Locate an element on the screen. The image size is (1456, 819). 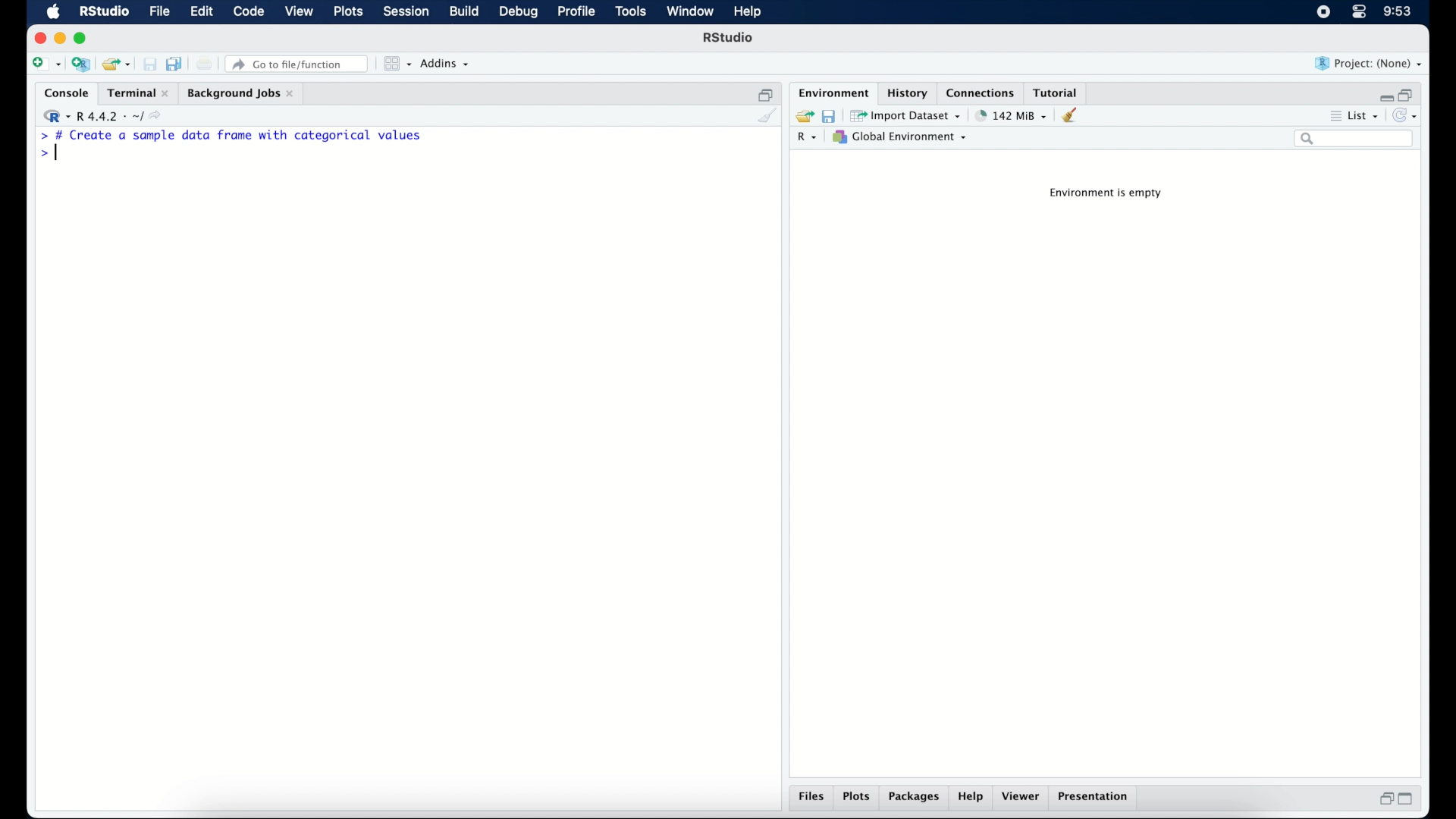
command prompt is located at coordinates (40, 154).